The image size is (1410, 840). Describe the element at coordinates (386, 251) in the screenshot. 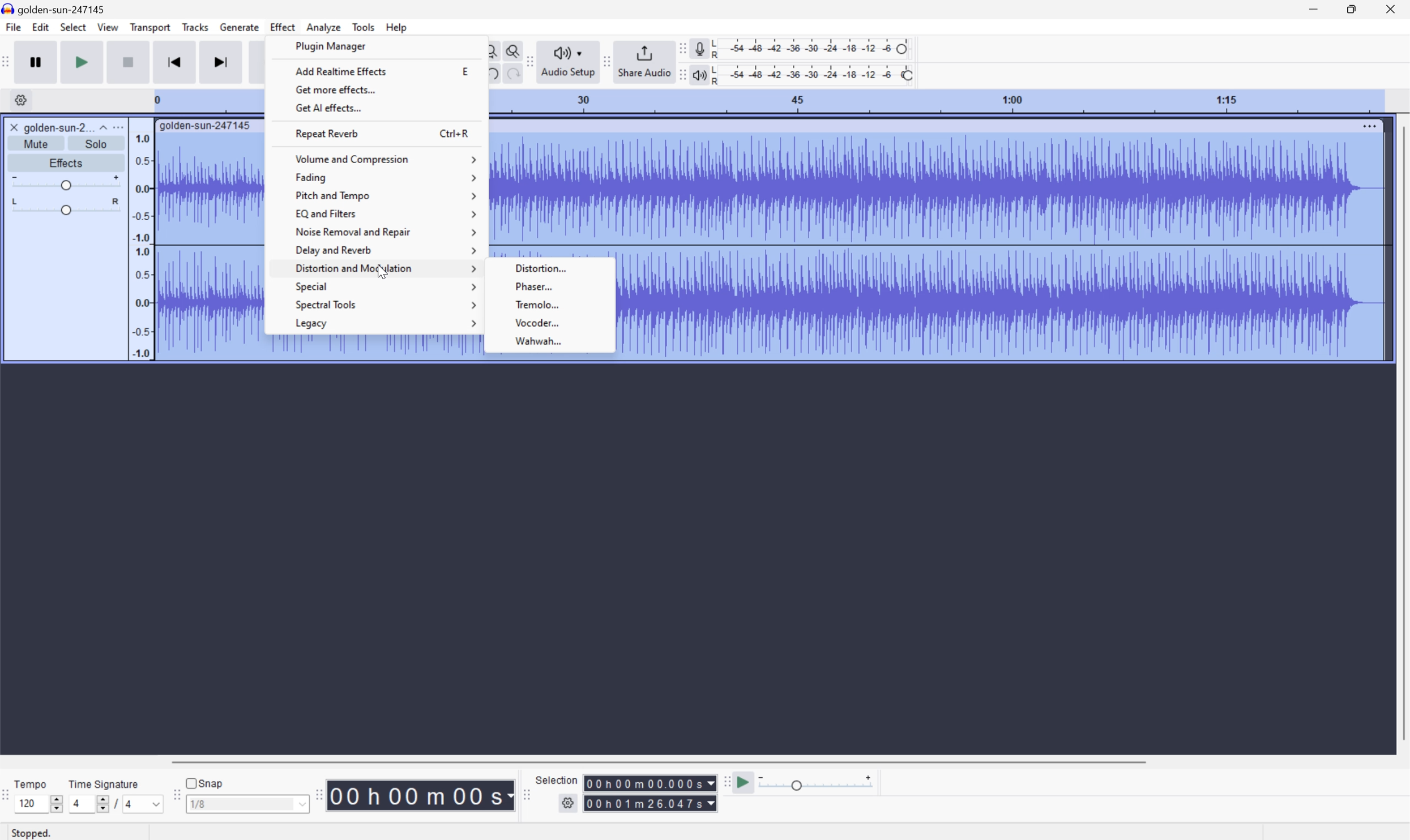

I see `Delay and reverb` at that location.